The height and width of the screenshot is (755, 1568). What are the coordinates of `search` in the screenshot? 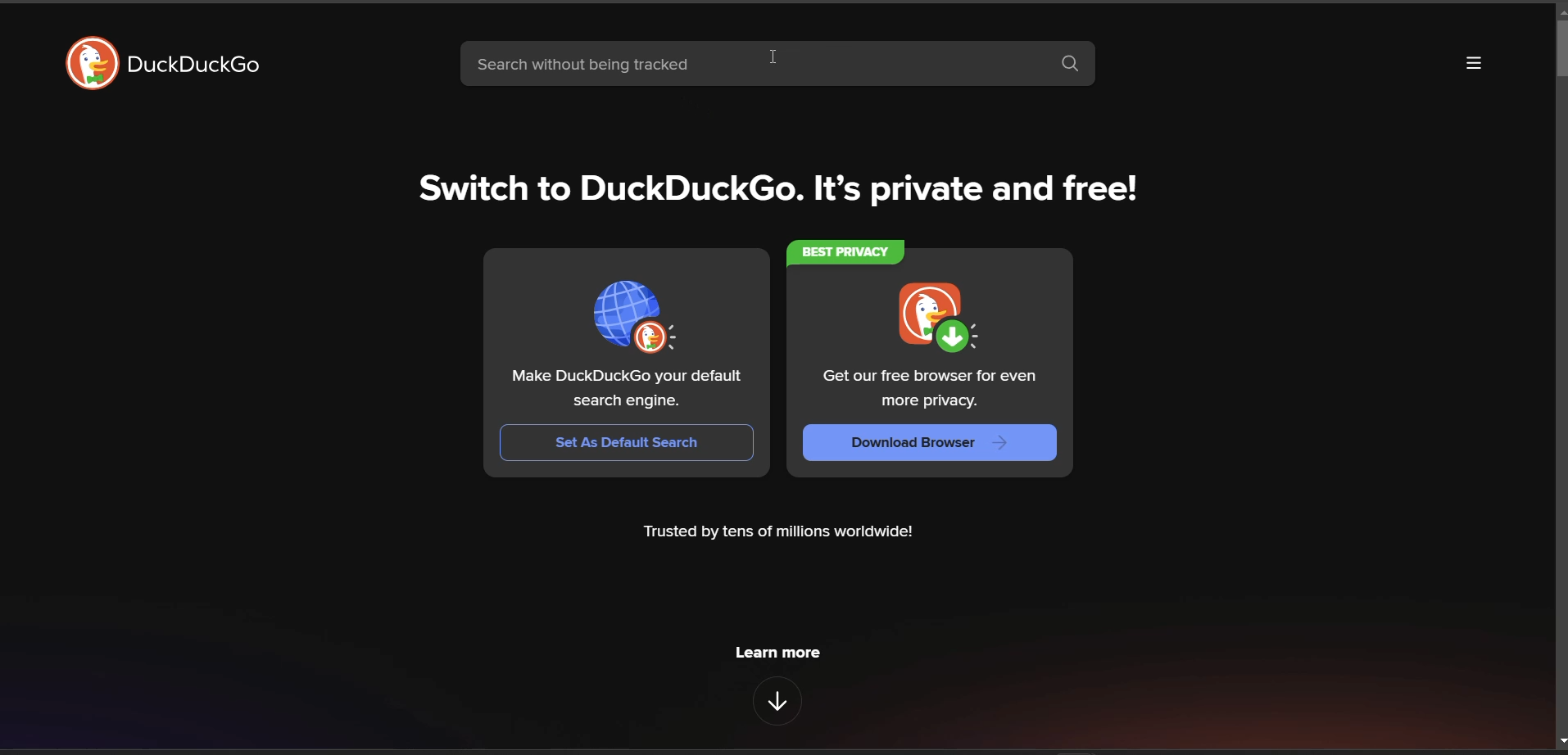 It's located at (1067, 64).